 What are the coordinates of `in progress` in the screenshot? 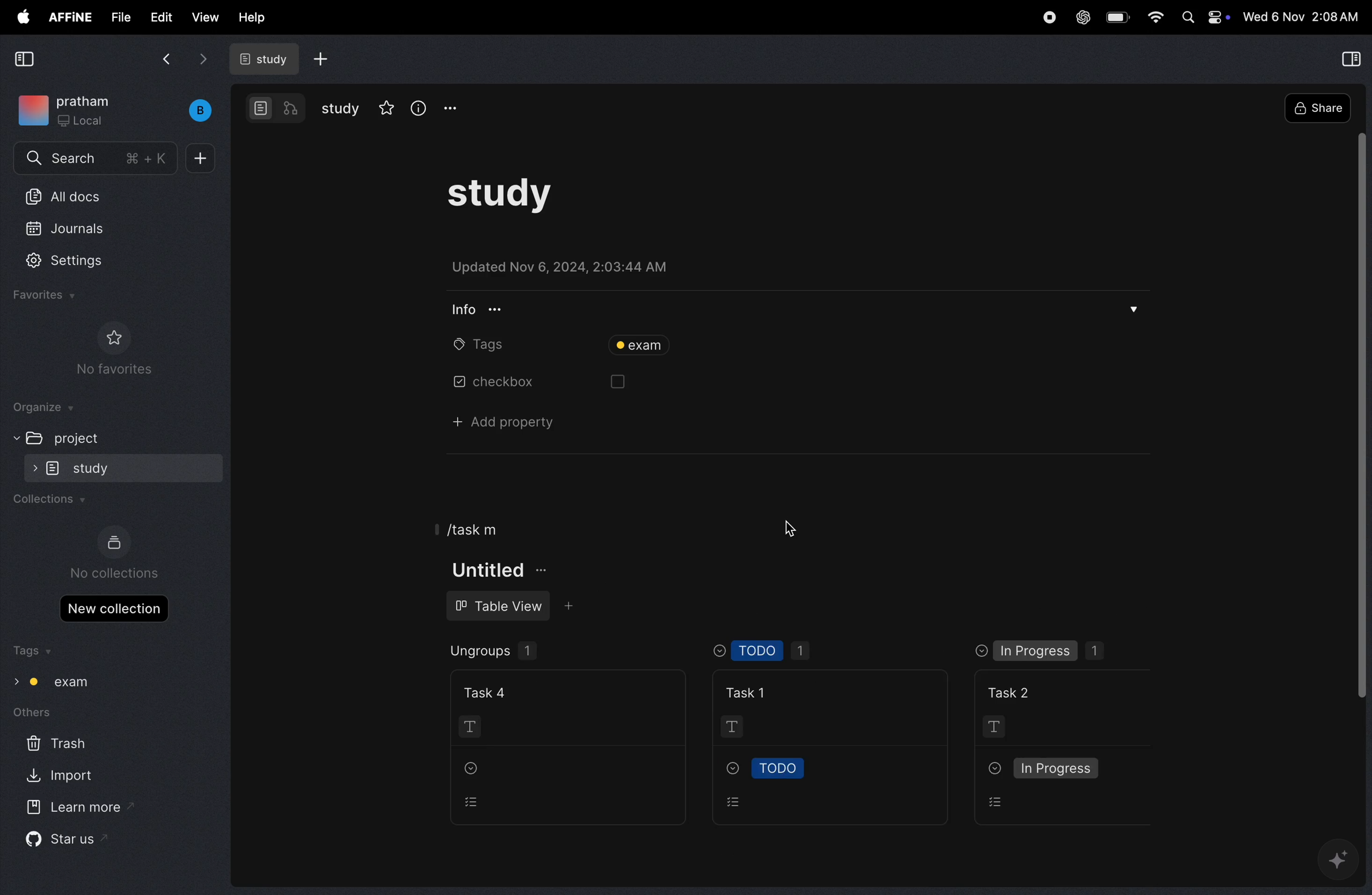 It's located at (1061, 767).